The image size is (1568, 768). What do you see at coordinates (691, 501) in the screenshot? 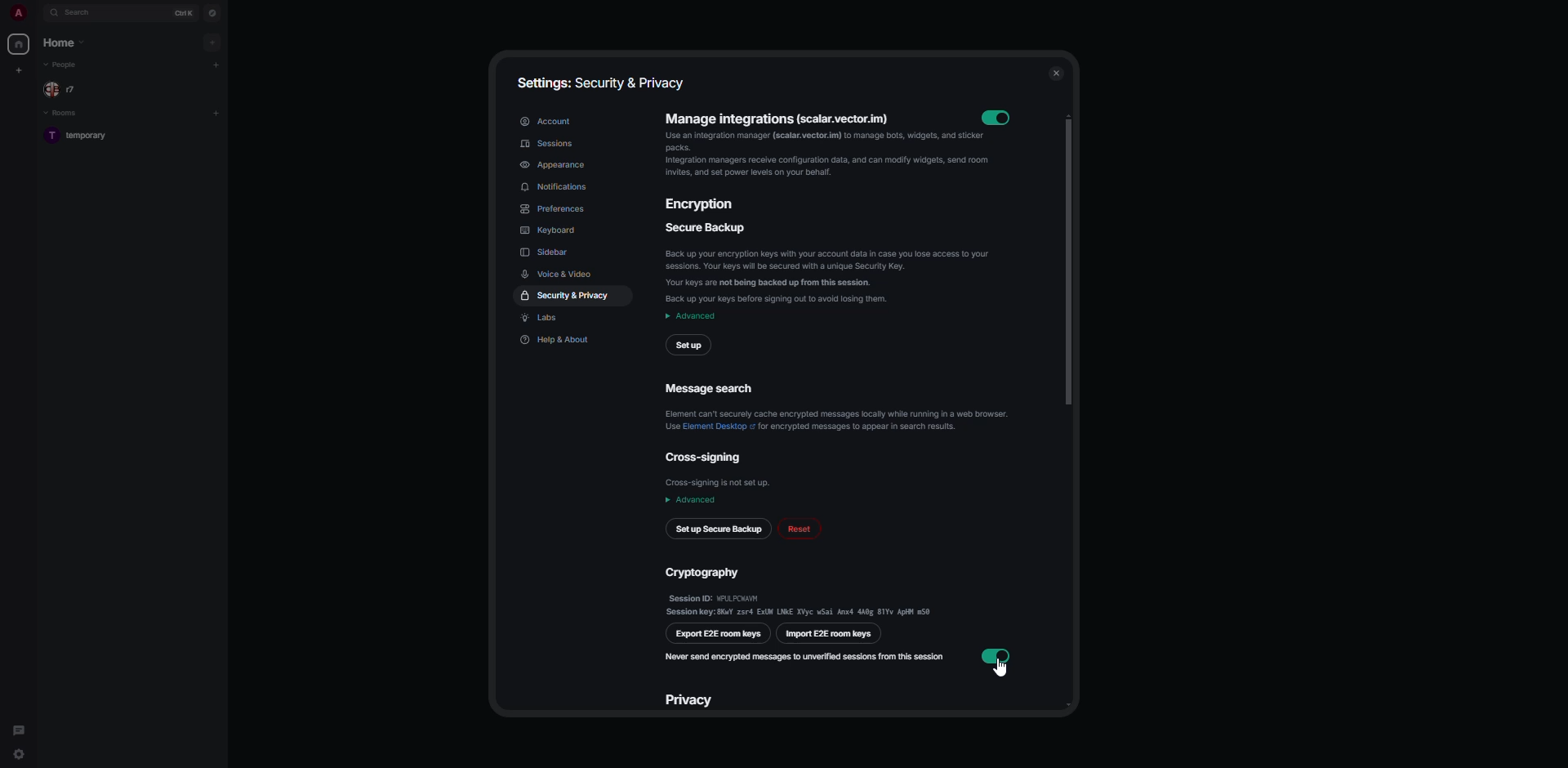
I see `advanced` at bounding box center [691, 501].